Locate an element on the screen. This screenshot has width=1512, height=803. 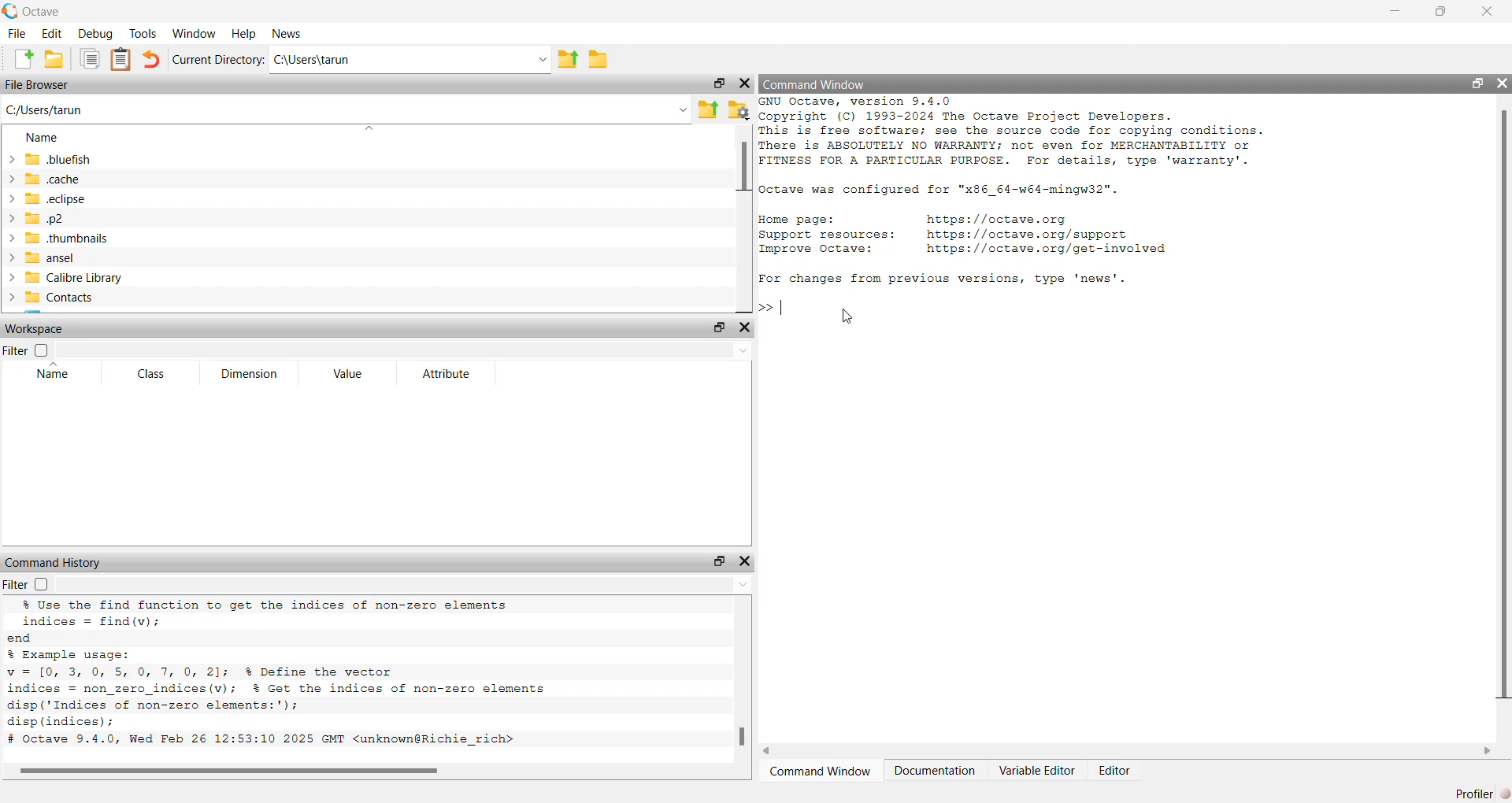
close is located at coordinates (1487, 14).